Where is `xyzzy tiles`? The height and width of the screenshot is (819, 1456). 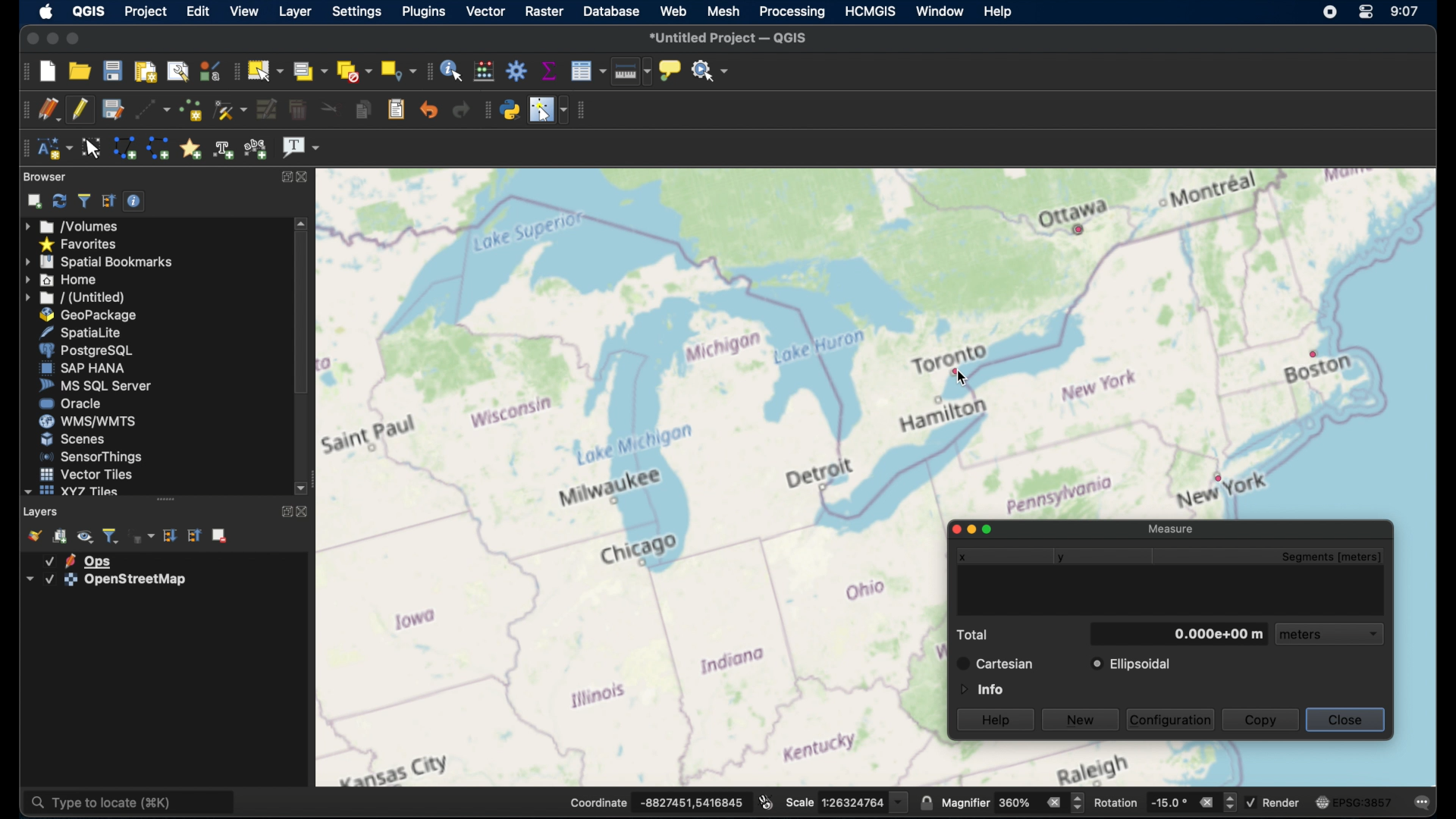 xyzzy tiles is located at coordinates (71, 491).